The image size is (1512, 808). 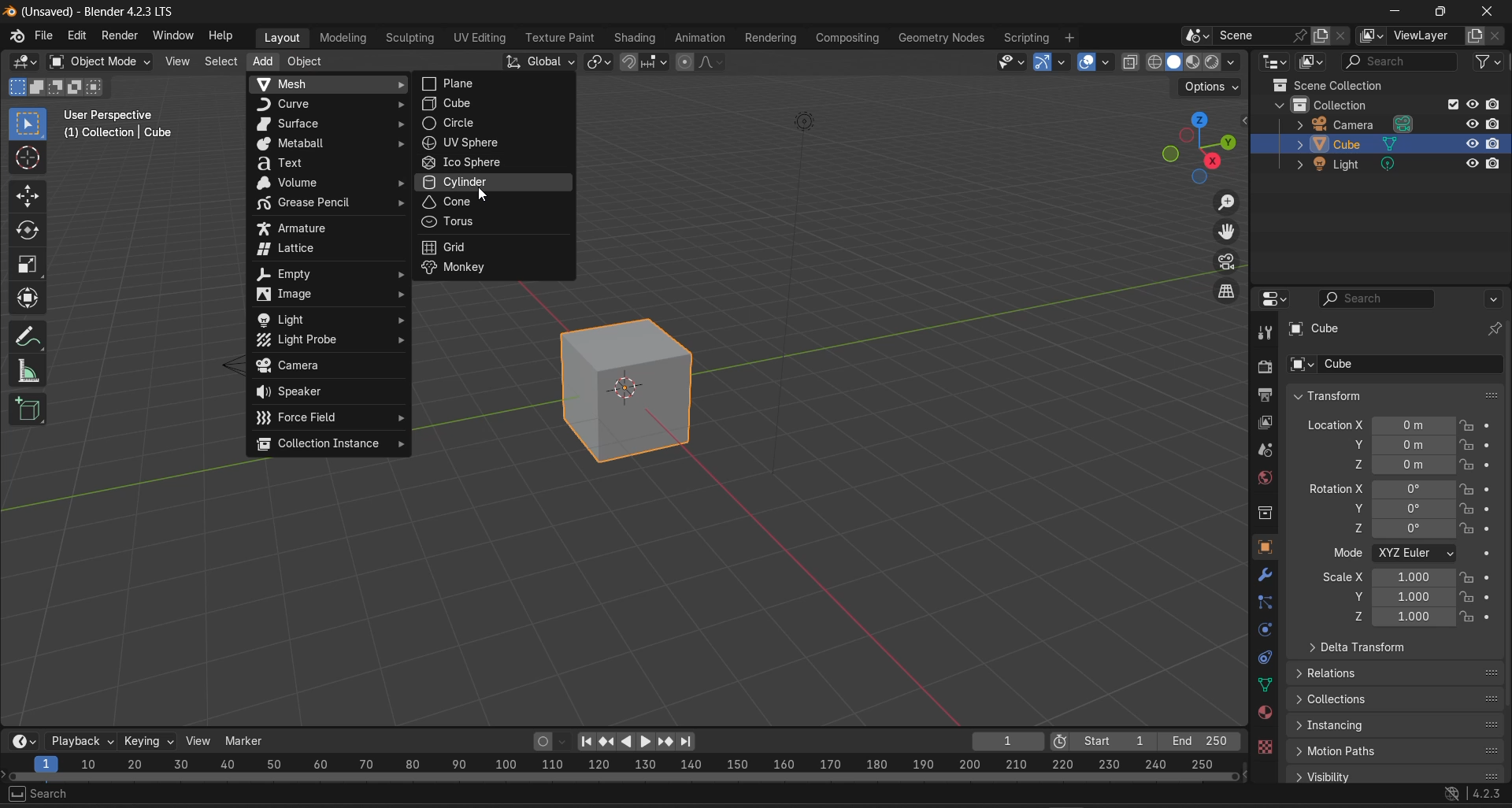 What do you see at coordinates (1401, 596) in the screenshot?
I see `scale y` at bounding box center [1401, 596].